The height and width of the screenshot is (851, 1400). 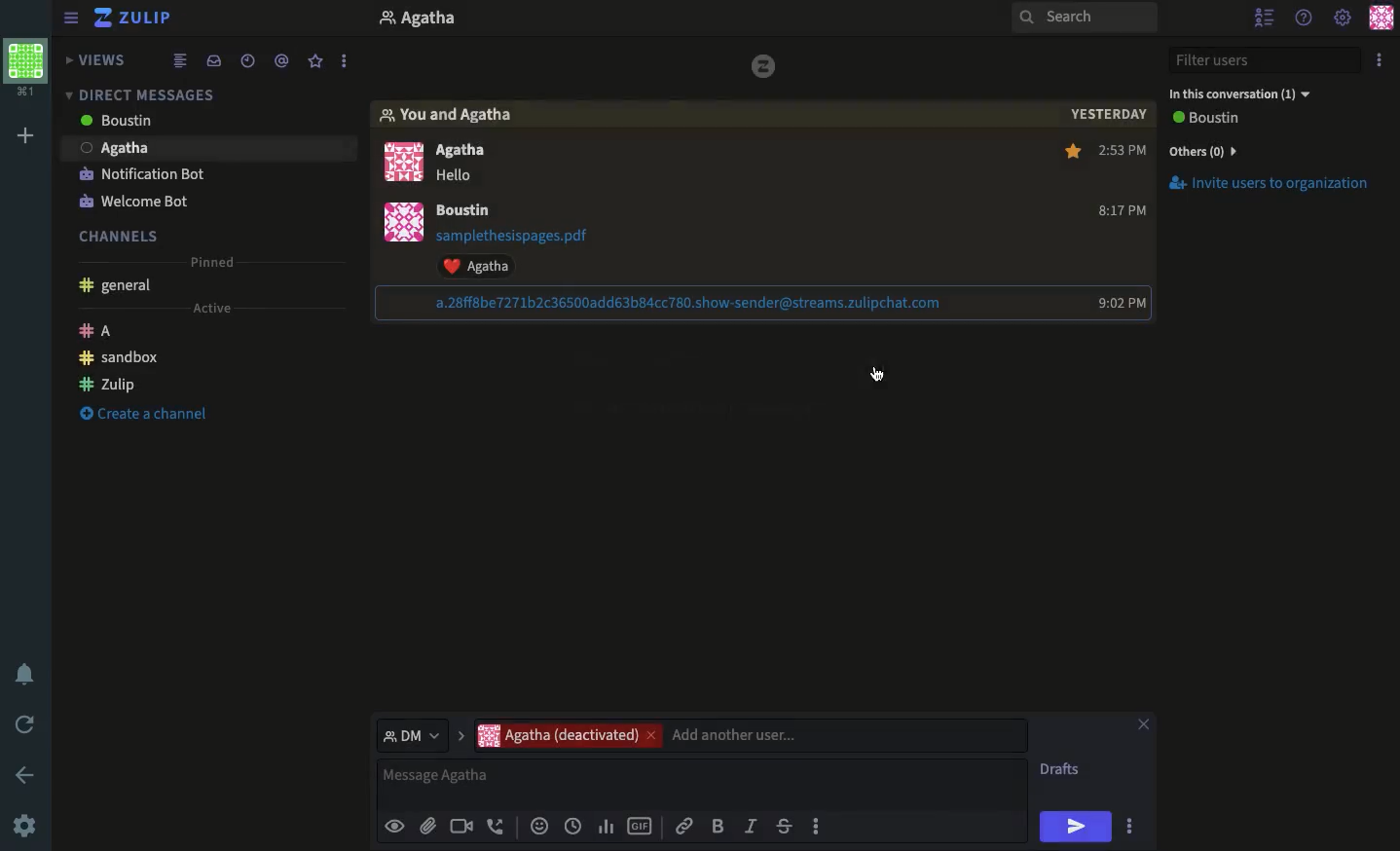 I want to click on Active, so click(x=209, y=309).